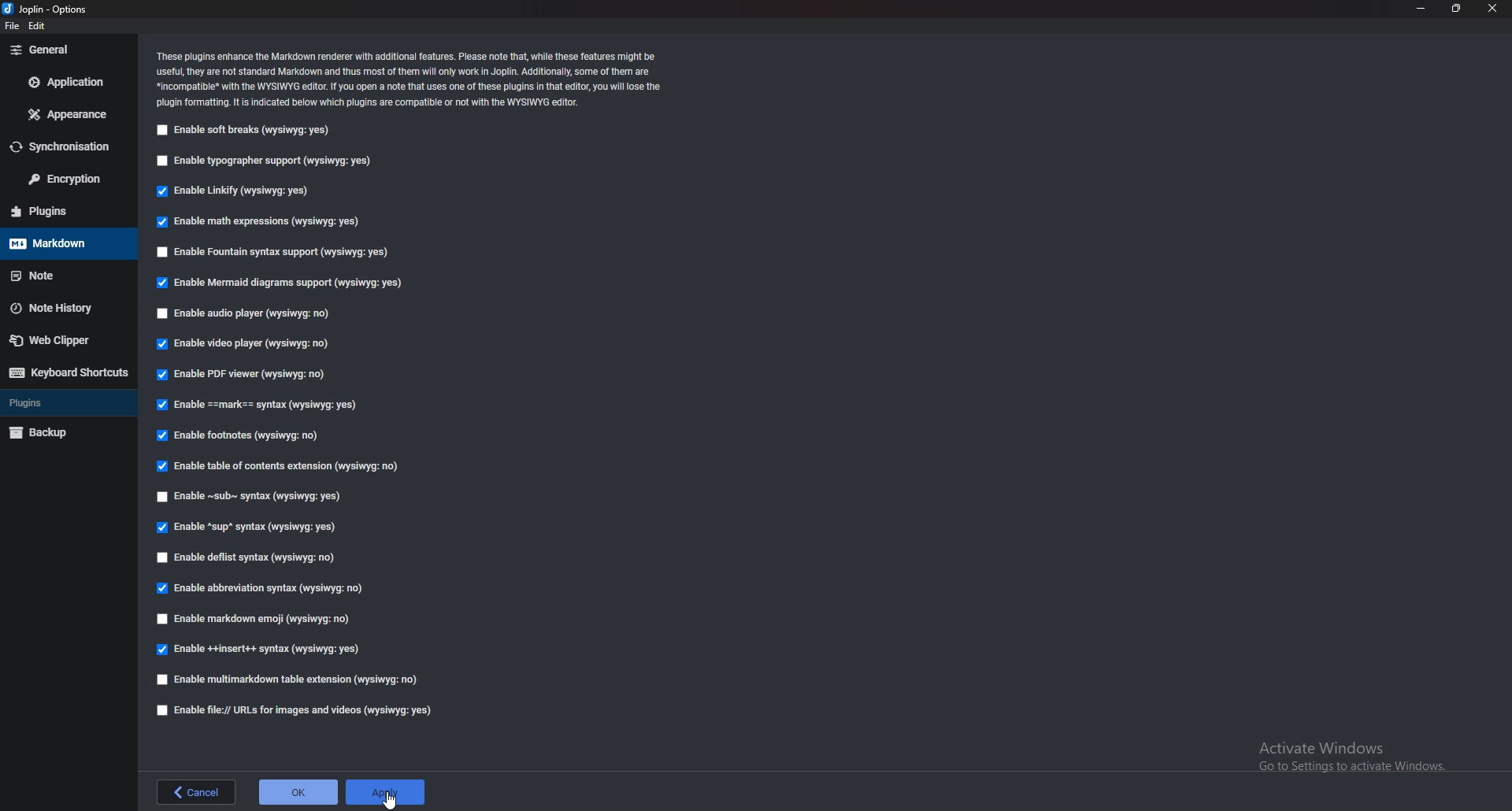 This screenshot has height=811, width=1512. I want to click on enable multimarkdown table extension, so click(289, 679).